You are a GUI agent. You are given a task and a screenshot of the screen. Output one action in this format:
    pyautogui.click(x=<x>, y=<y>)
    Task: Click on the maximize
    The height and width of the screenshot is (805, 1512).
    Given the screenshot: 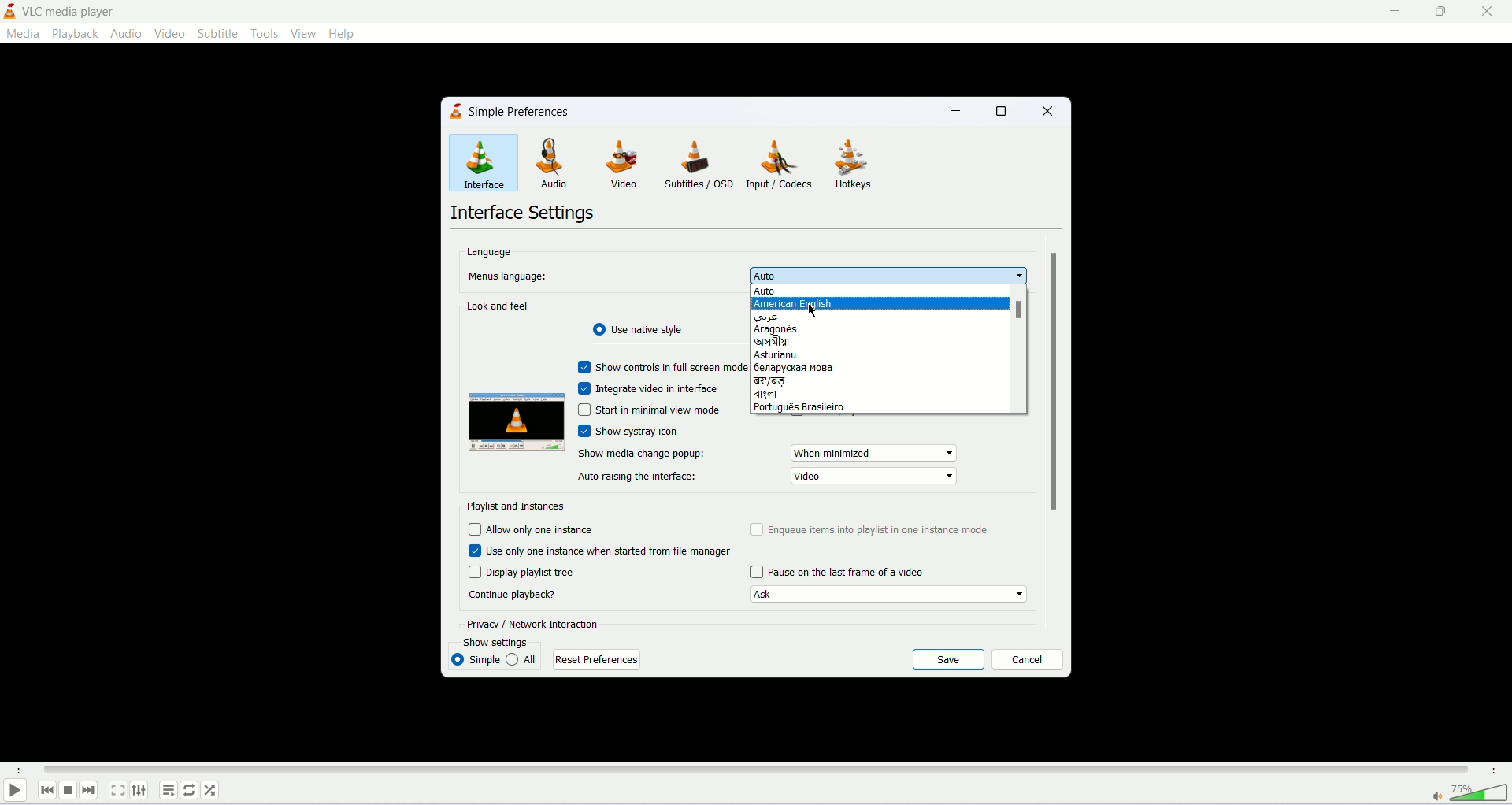 What is the action you would take?
    pyautogui.click(x=1002, y=110)
    